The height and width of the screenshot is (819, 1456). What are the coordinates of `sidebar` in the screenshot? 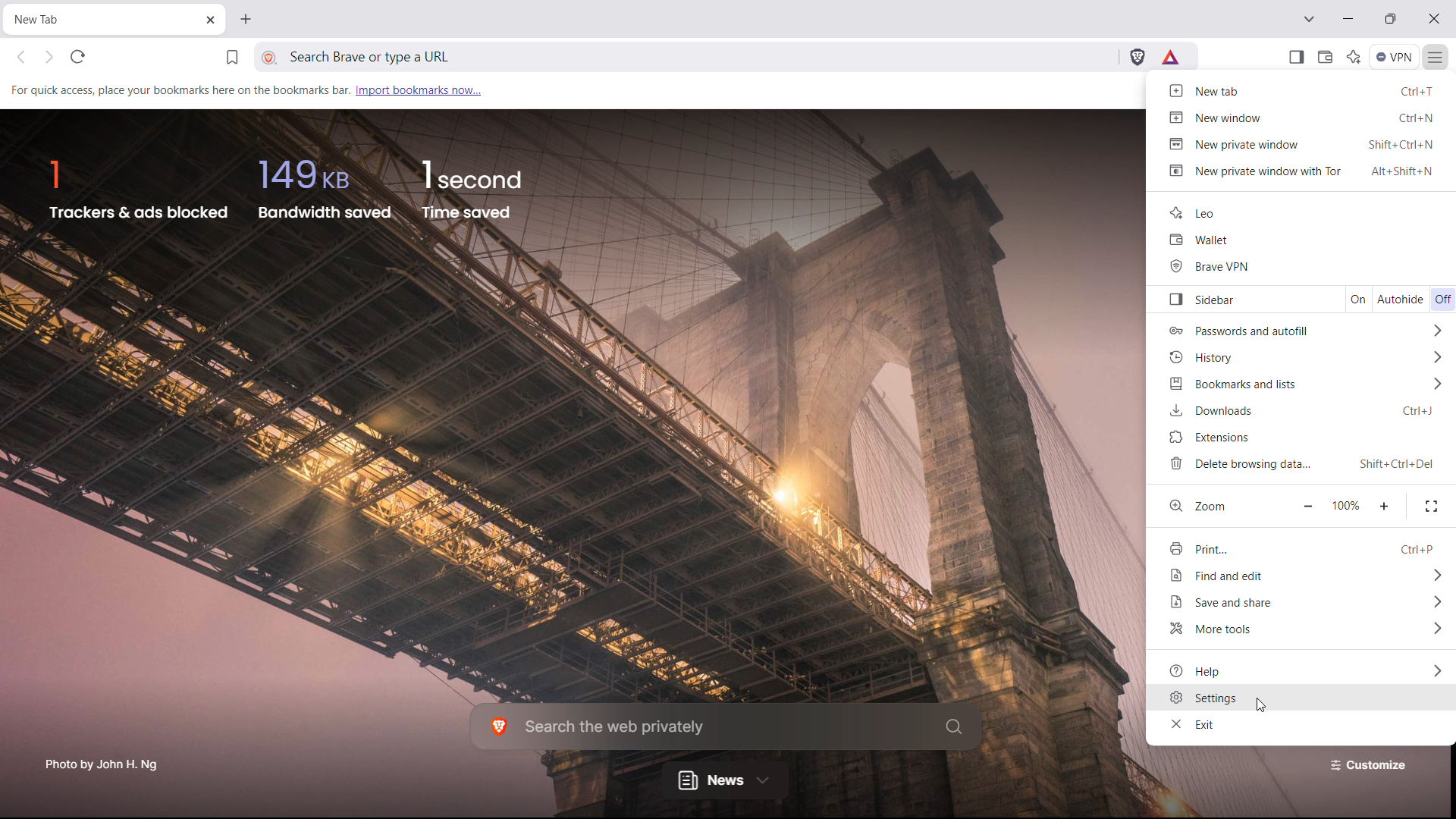 It's located at (1236, 297).